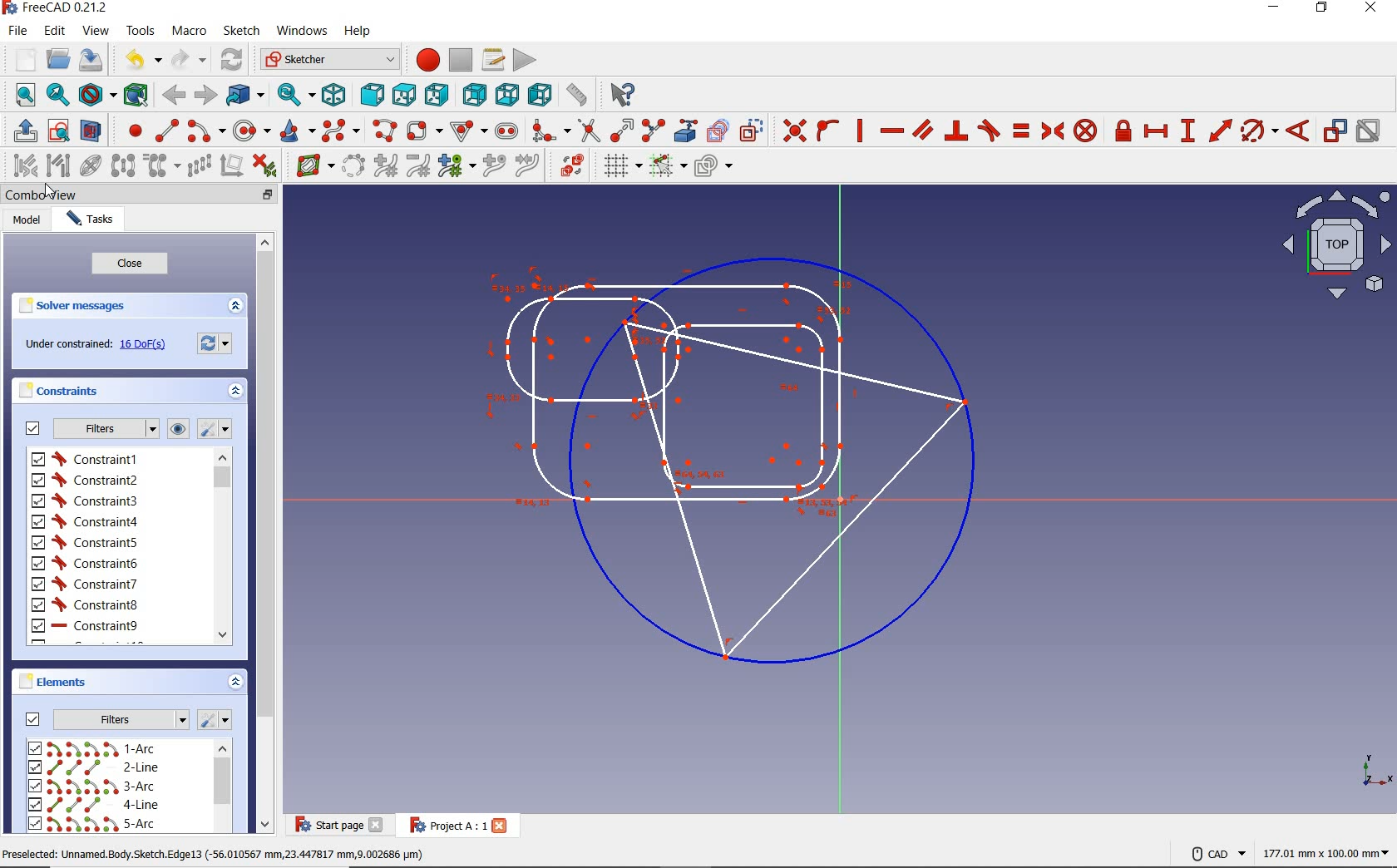  I want to click on scrollbar, so click(222, 787).